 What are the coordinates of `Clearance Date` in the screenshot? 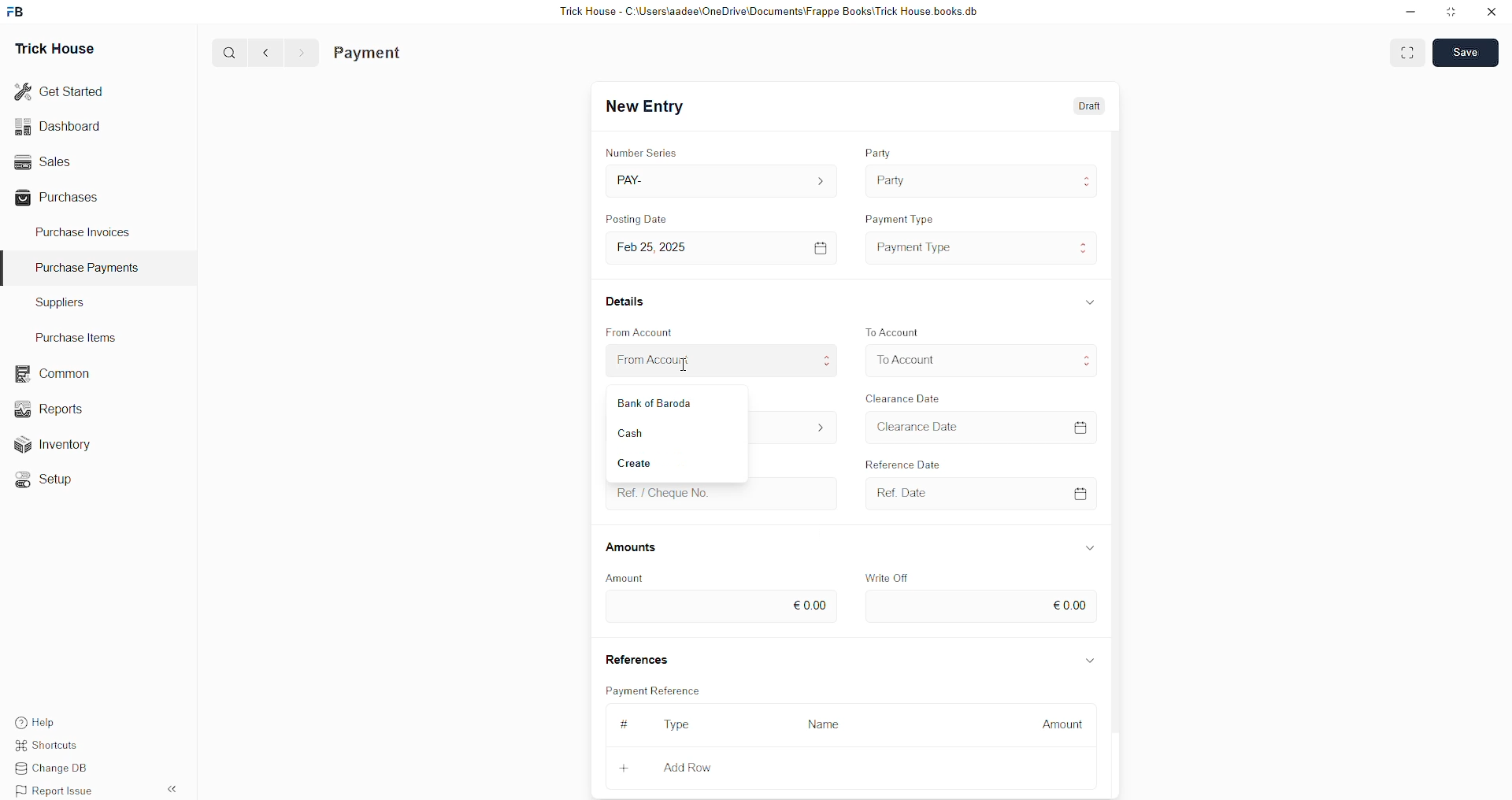 It's located at (906, 397).